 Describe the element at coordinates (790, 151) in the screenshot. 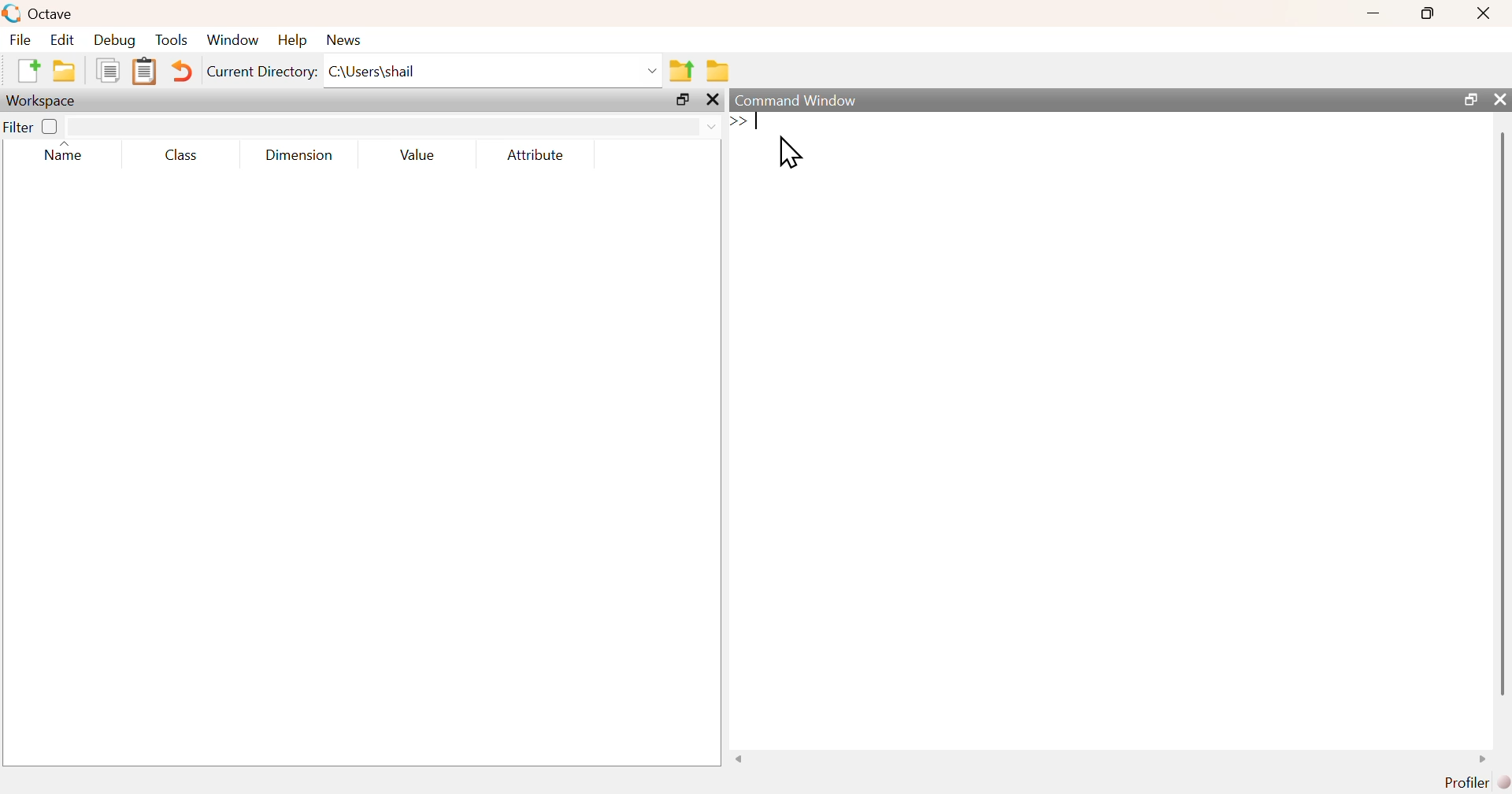

I see `cursor` at that location.